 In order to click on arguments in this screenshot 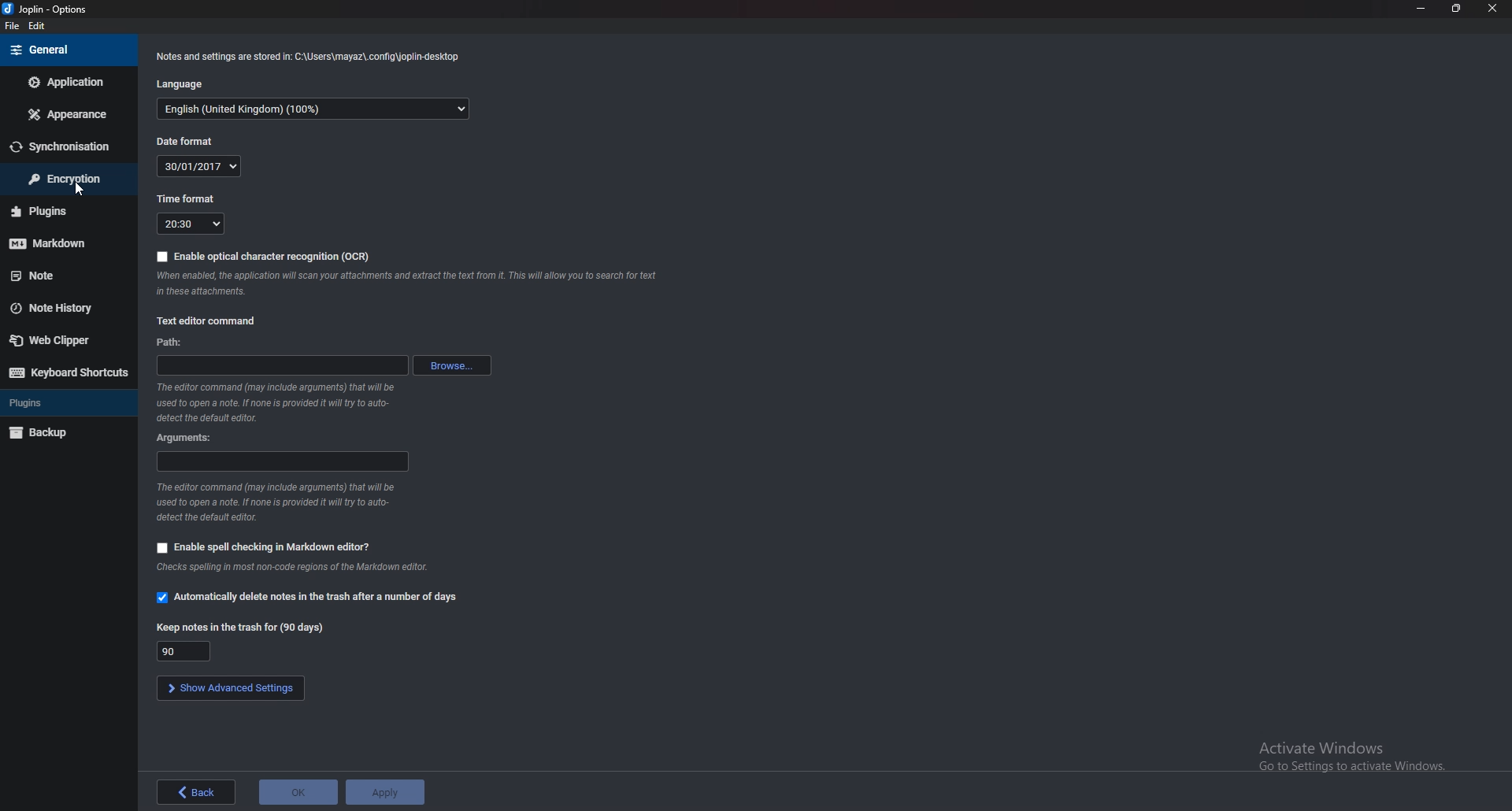, I will do `click(280, 461)`.